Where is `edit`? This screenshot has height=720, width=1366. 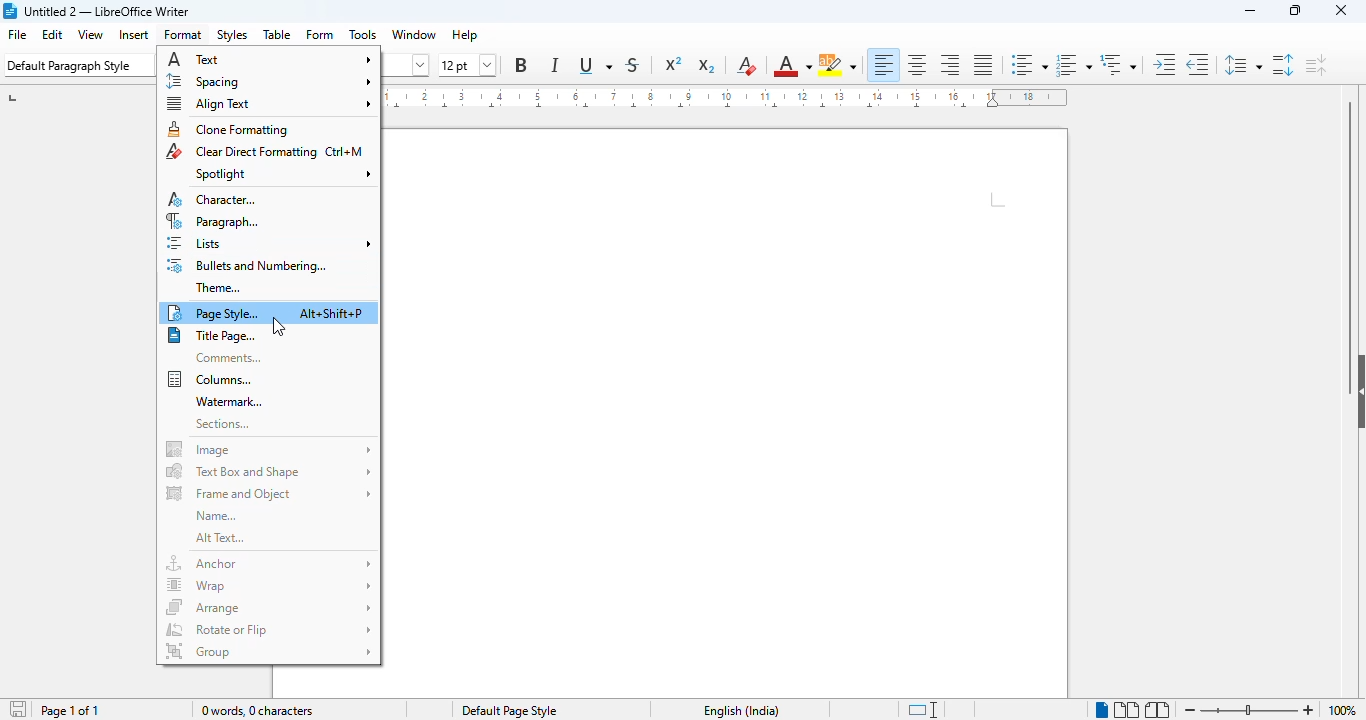
edit is located at coordinates (53, 34).